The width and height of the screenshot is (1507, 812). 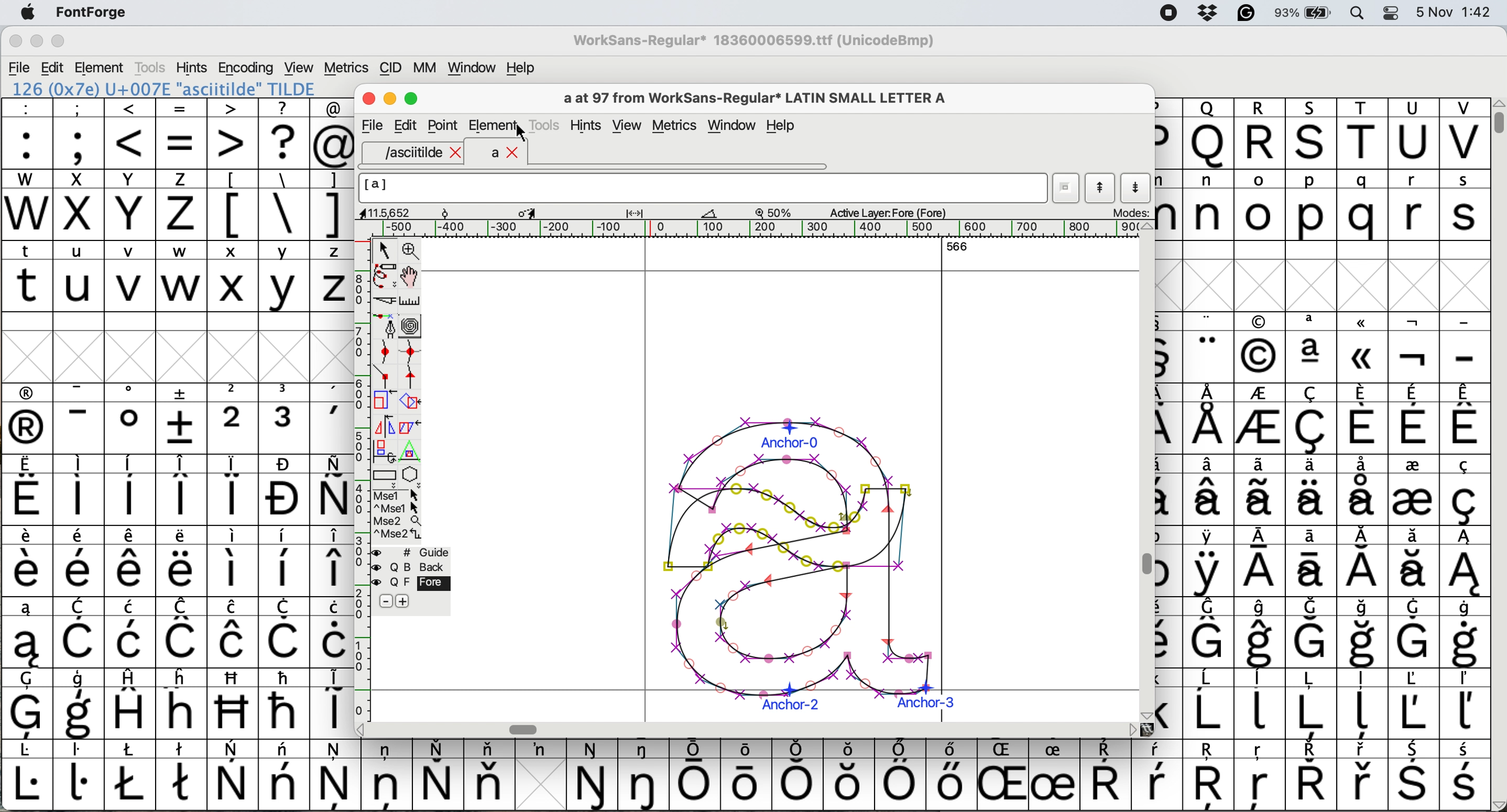 What do you see at coordinates (1261, 421) in the screenshot?
I see `symbol` at bounding box center [1261, 421].